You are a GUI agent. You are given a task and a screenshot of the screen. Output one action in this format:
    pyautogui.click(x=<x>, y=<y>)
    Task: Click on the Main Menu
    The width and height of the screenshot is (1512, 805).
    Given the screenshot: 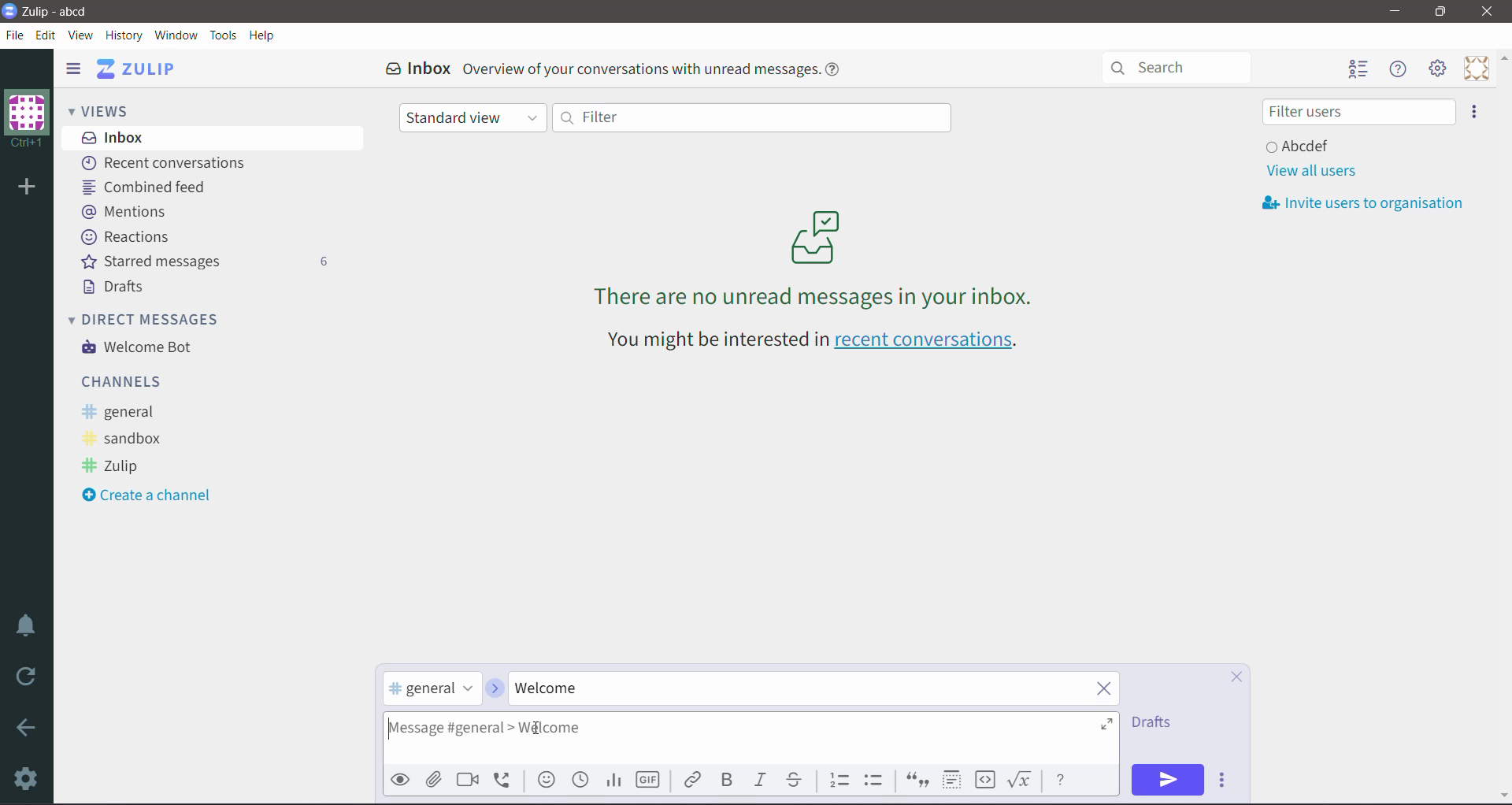 What is the action you would take?
    pyautogui.click(x=1439, y=69)
    